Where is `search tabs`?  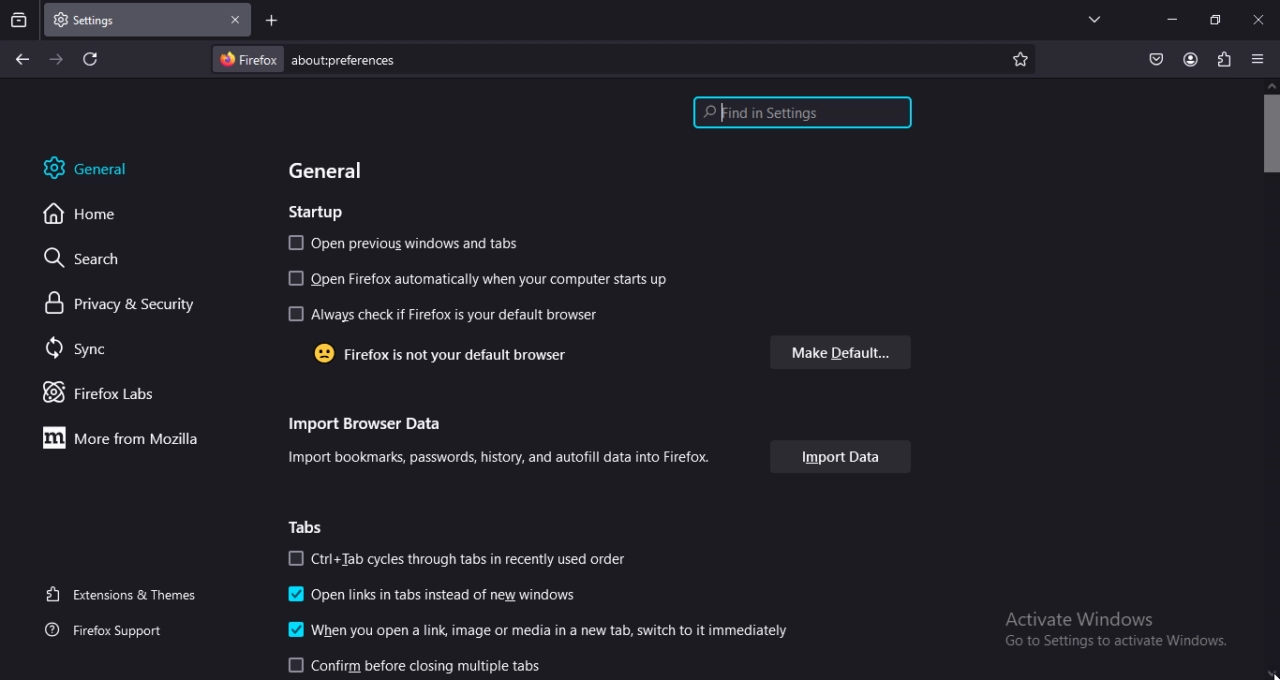
search tabs is located at coordinates (19, 19).